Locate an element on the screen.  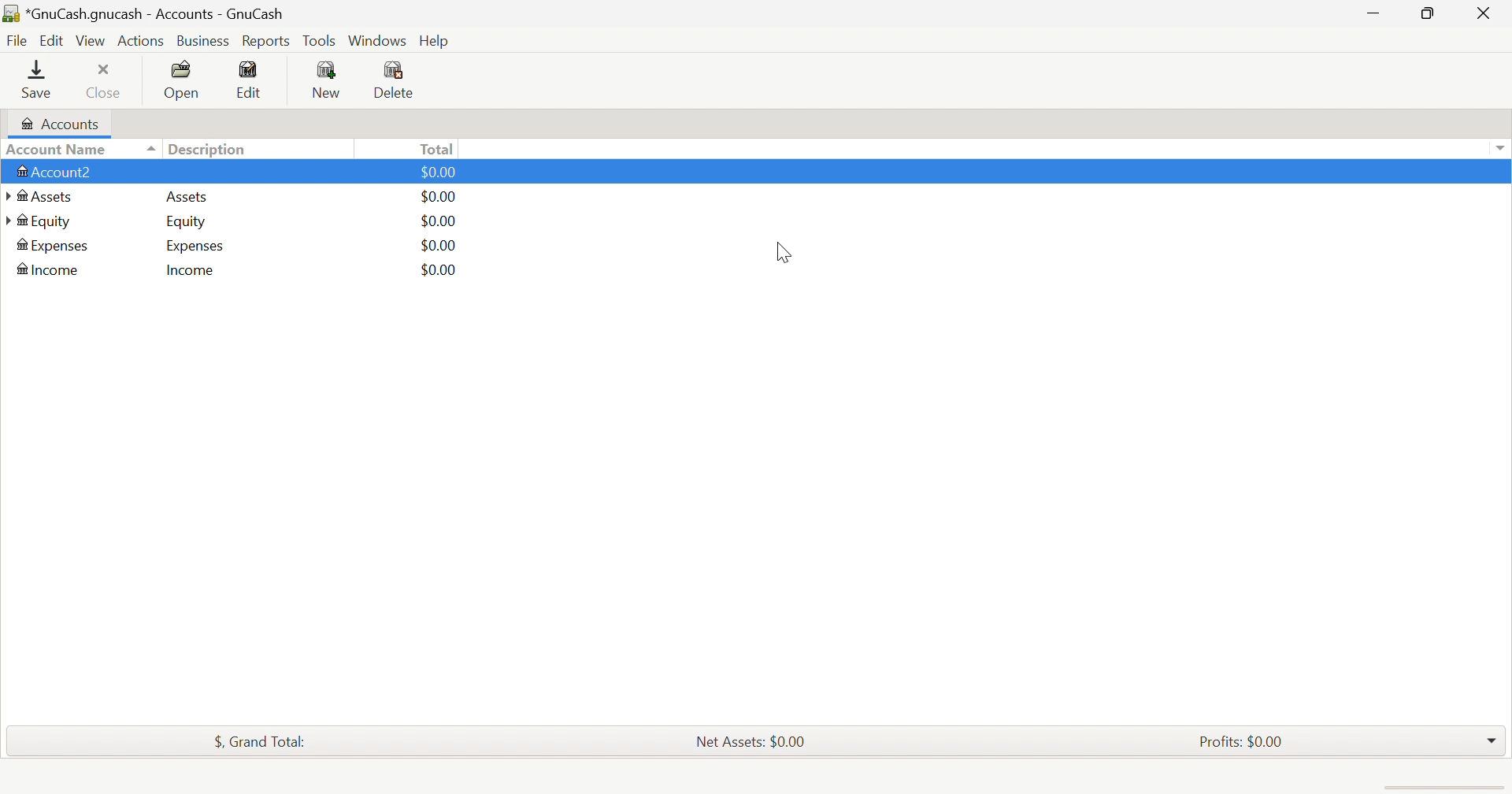
Help is located at coordinates (436, 42).